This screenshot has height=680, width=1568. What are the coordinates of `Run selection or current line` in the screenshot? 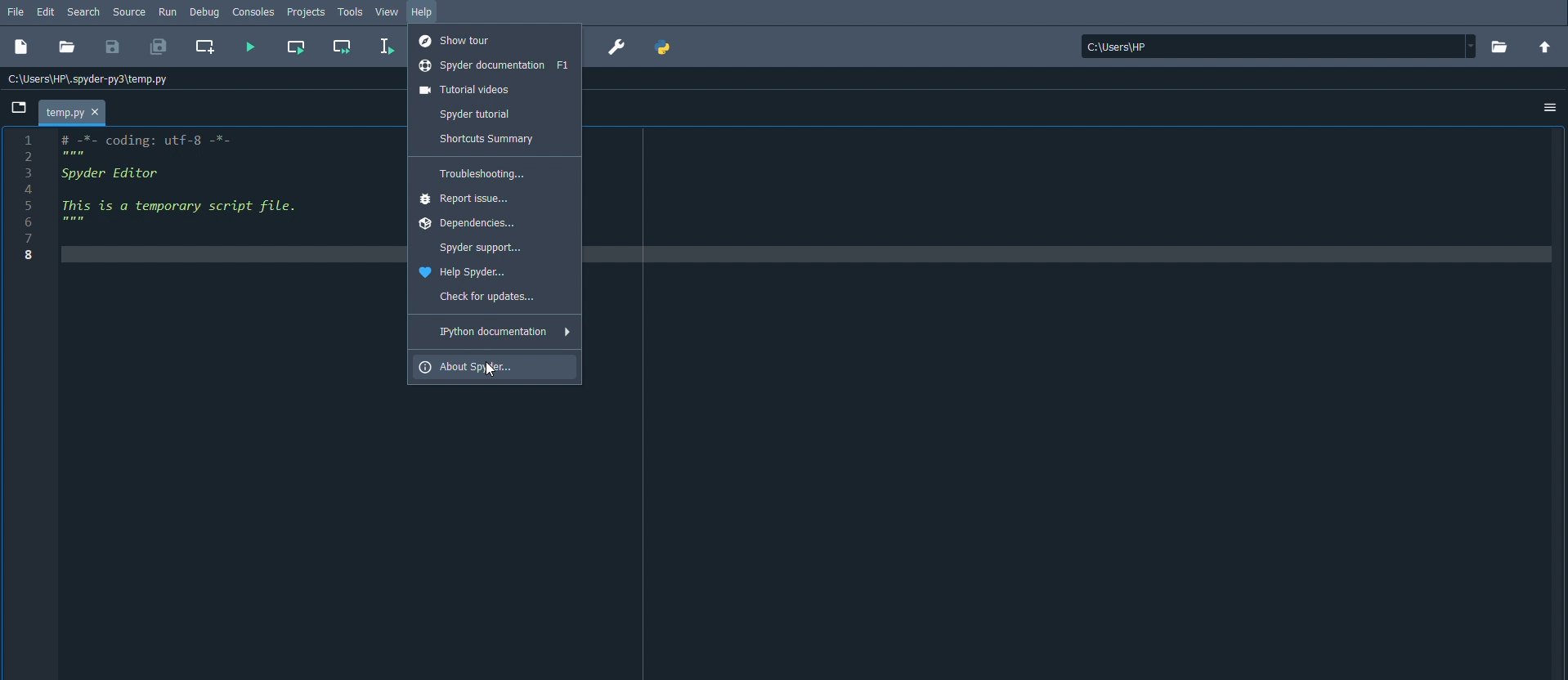 It's located at (386, 45).